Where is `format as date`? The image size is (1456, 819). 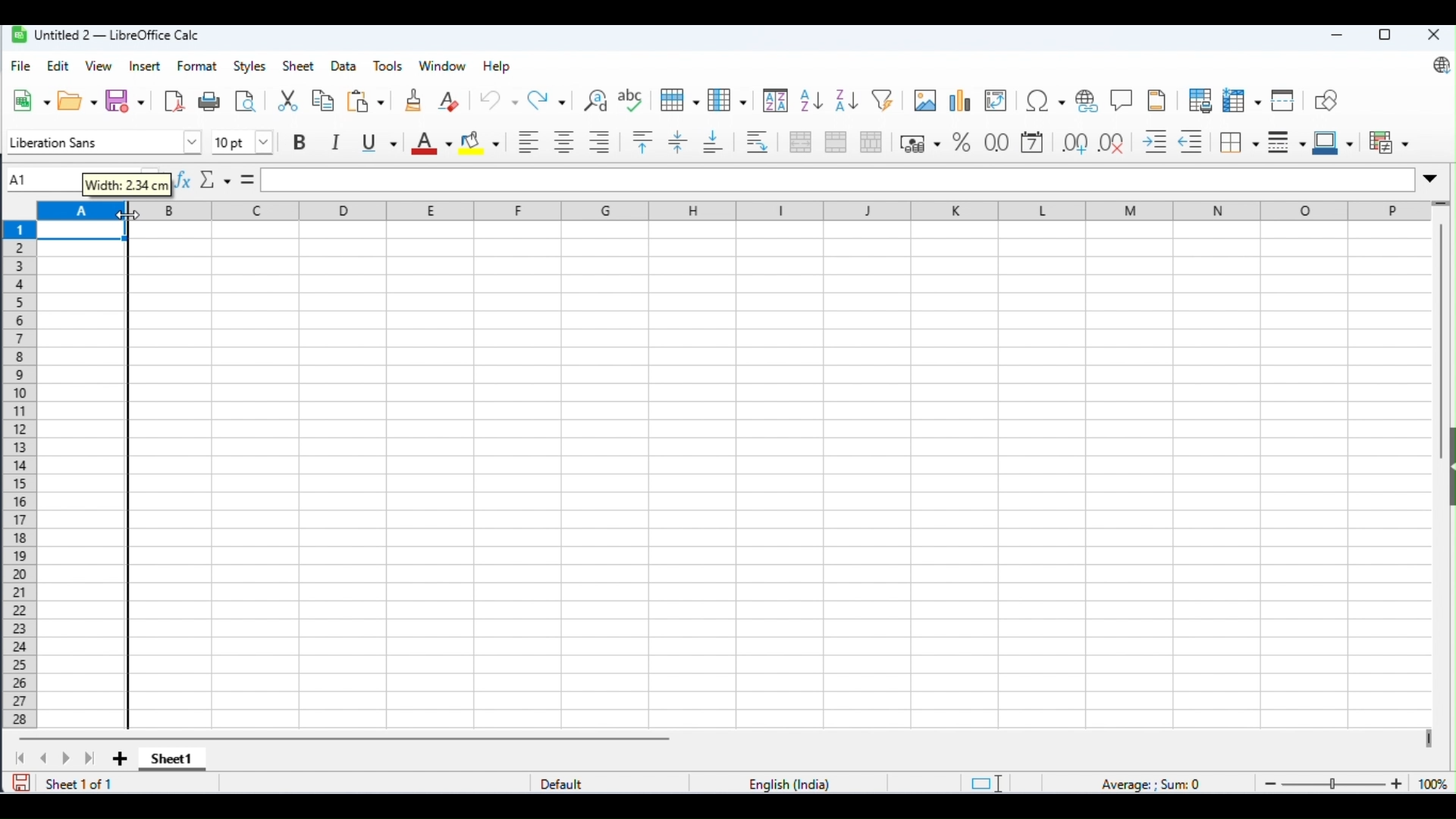
format as date is located at coordinates (1034, 143).